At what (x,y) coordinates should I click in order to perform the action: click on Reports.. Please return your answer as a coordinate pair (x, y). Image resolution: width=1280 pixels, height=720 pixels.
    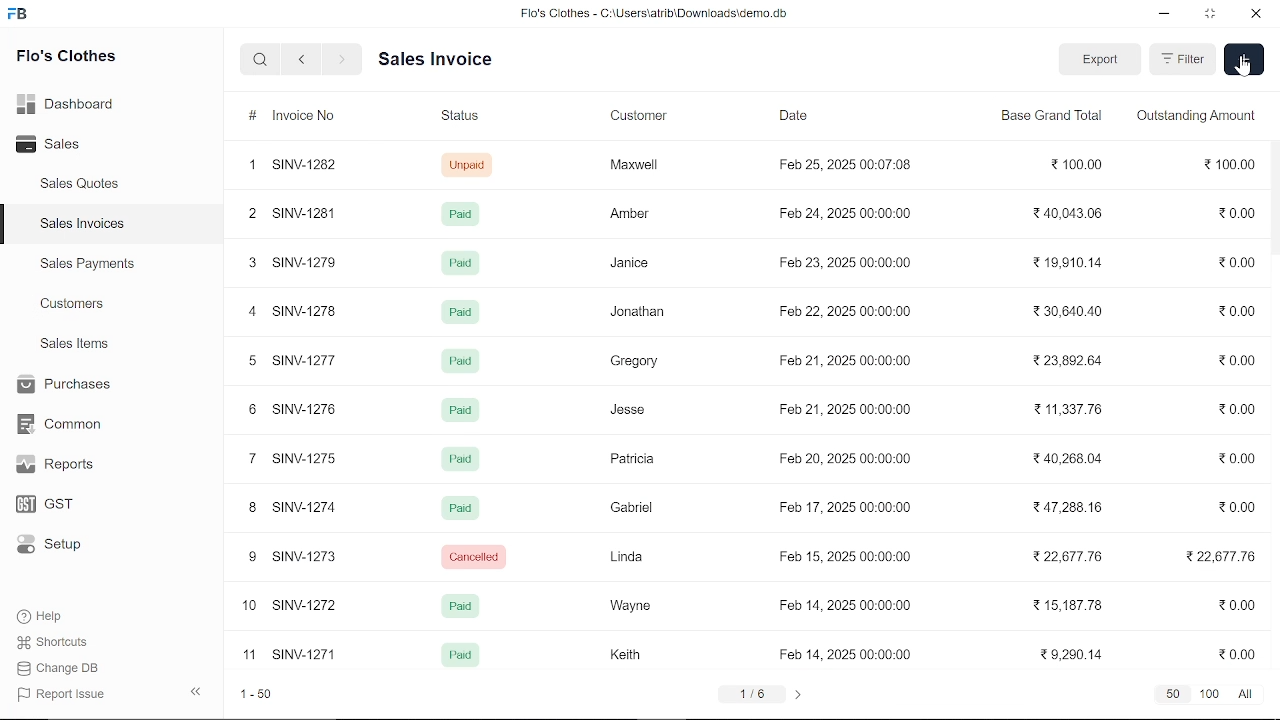
    Looking at the image, I should click on (63, 464).